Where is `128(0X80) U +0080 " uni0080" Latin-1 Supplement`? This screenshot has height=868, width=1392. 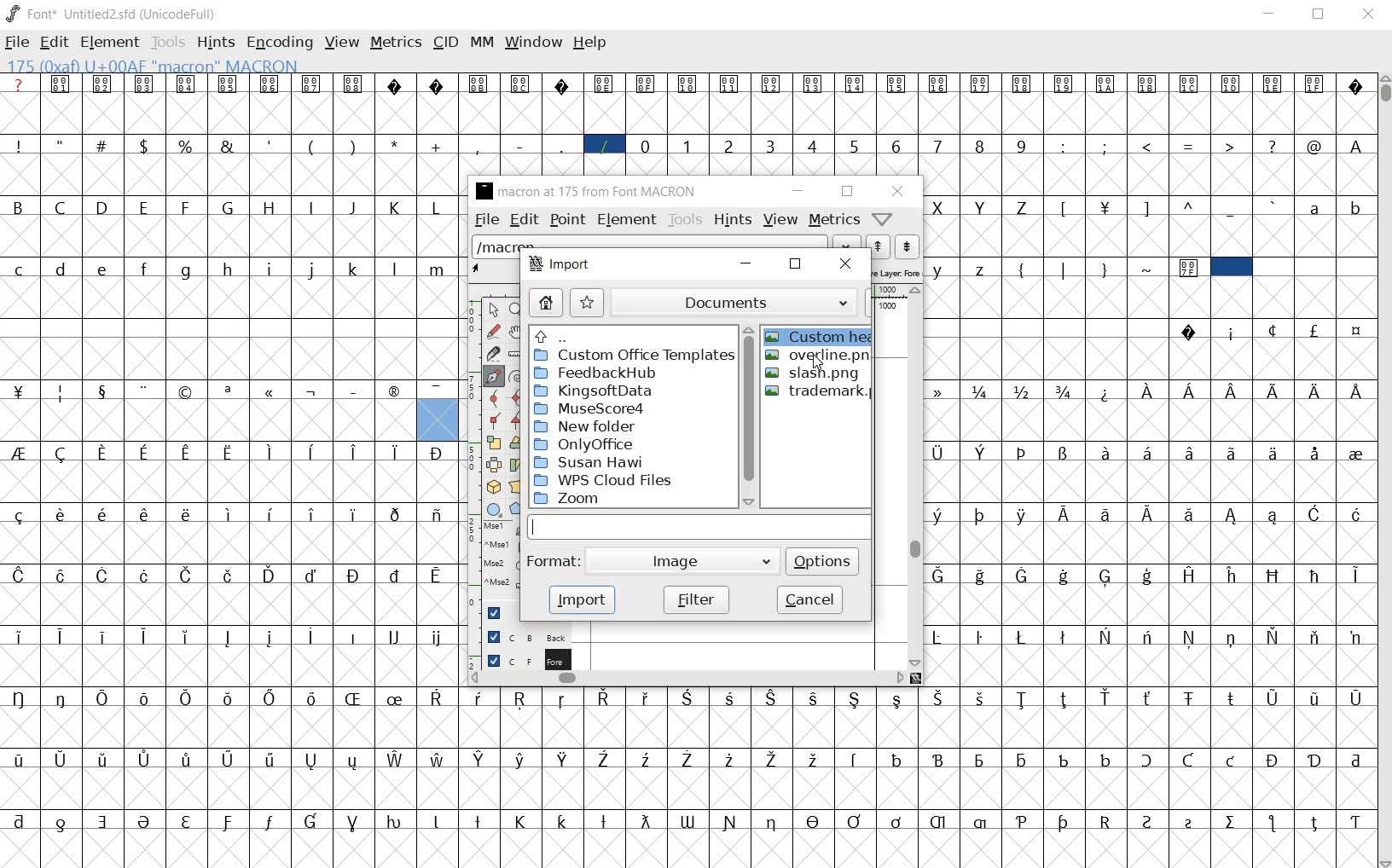
128(0X80) U +0080 " uni0080" Latin-1 Supplement is located at coordinates (192, 64).